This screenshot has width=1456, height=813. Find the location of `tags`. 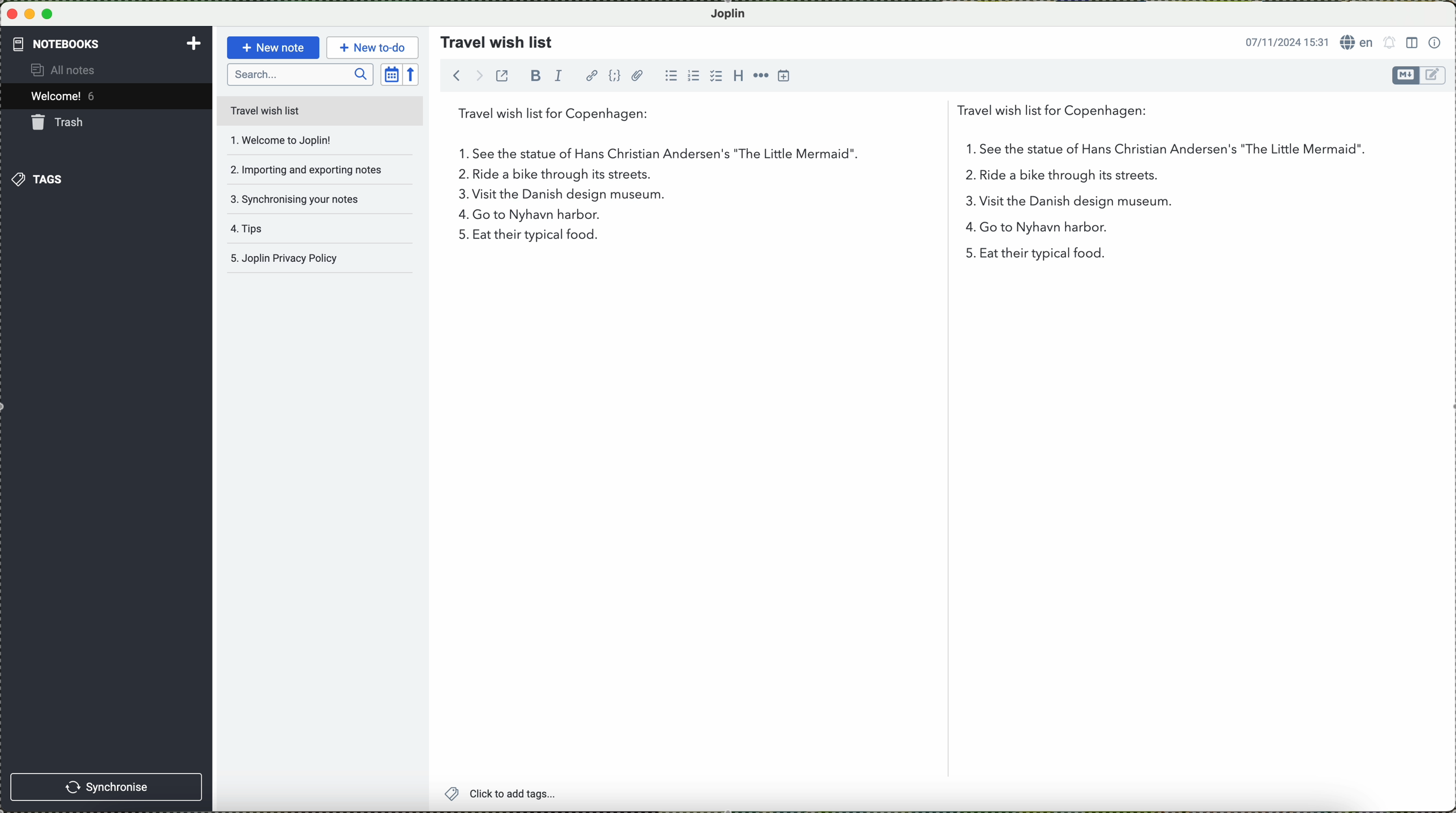

tags is located at coordinates (39, 179).